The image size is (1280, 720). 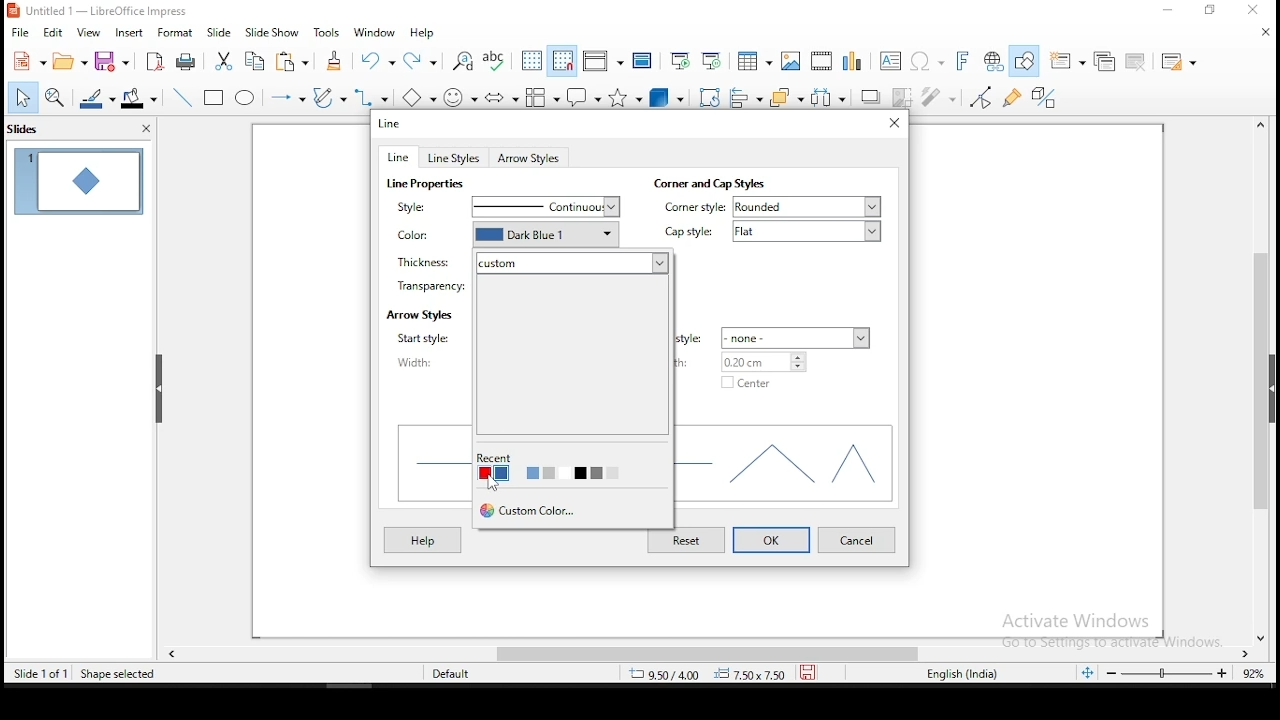 What do you see at coordinates (495, 484) in the screenshot?
I see `cursor` at bounding box center [495, 484].